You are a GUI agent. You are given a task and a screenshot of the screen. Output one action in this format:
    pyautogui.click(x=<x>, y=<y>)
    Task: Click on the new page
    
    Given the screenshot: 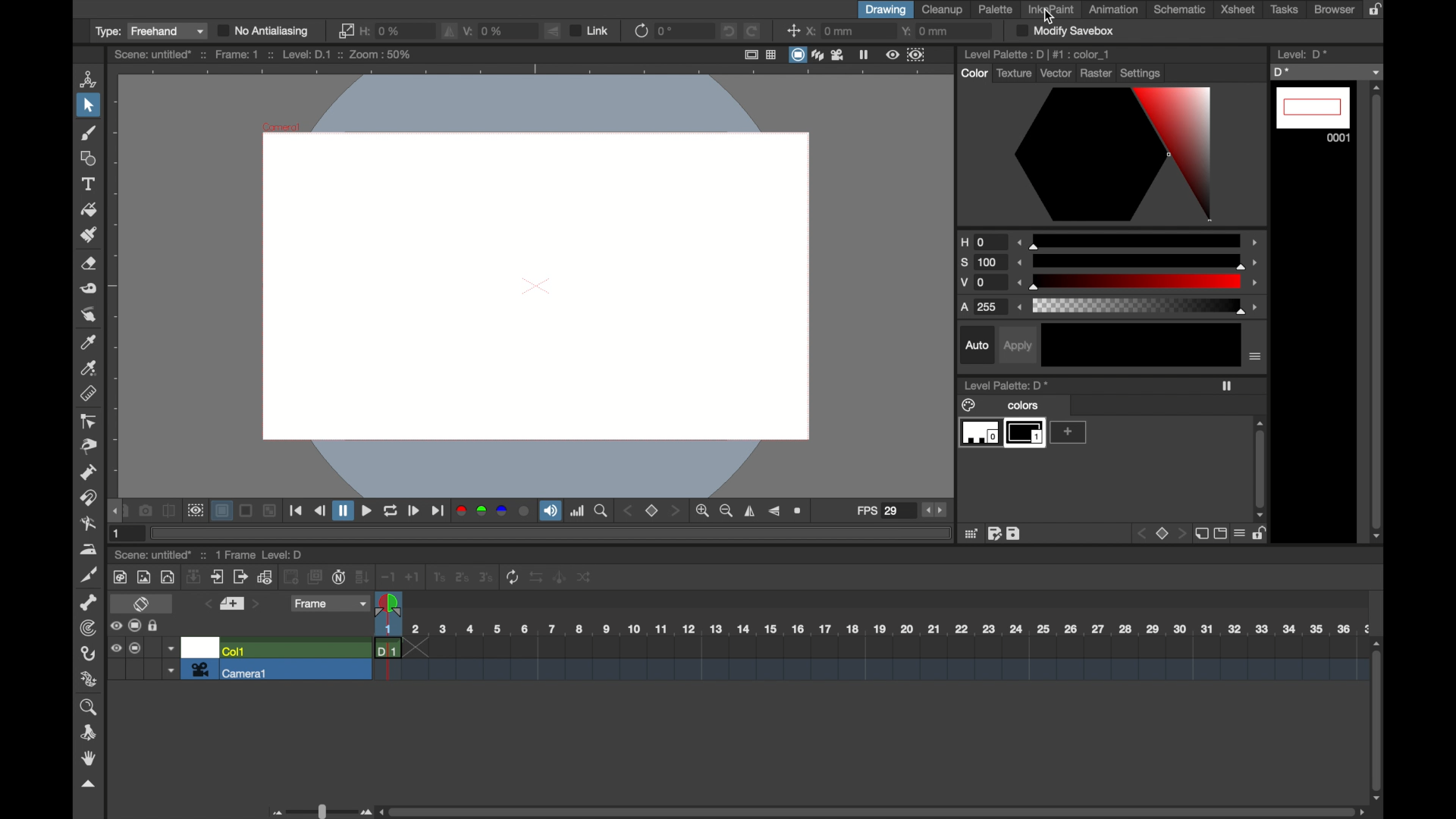 What is the action you would take?
    pyautogui.click(x=1202, y=535)
    